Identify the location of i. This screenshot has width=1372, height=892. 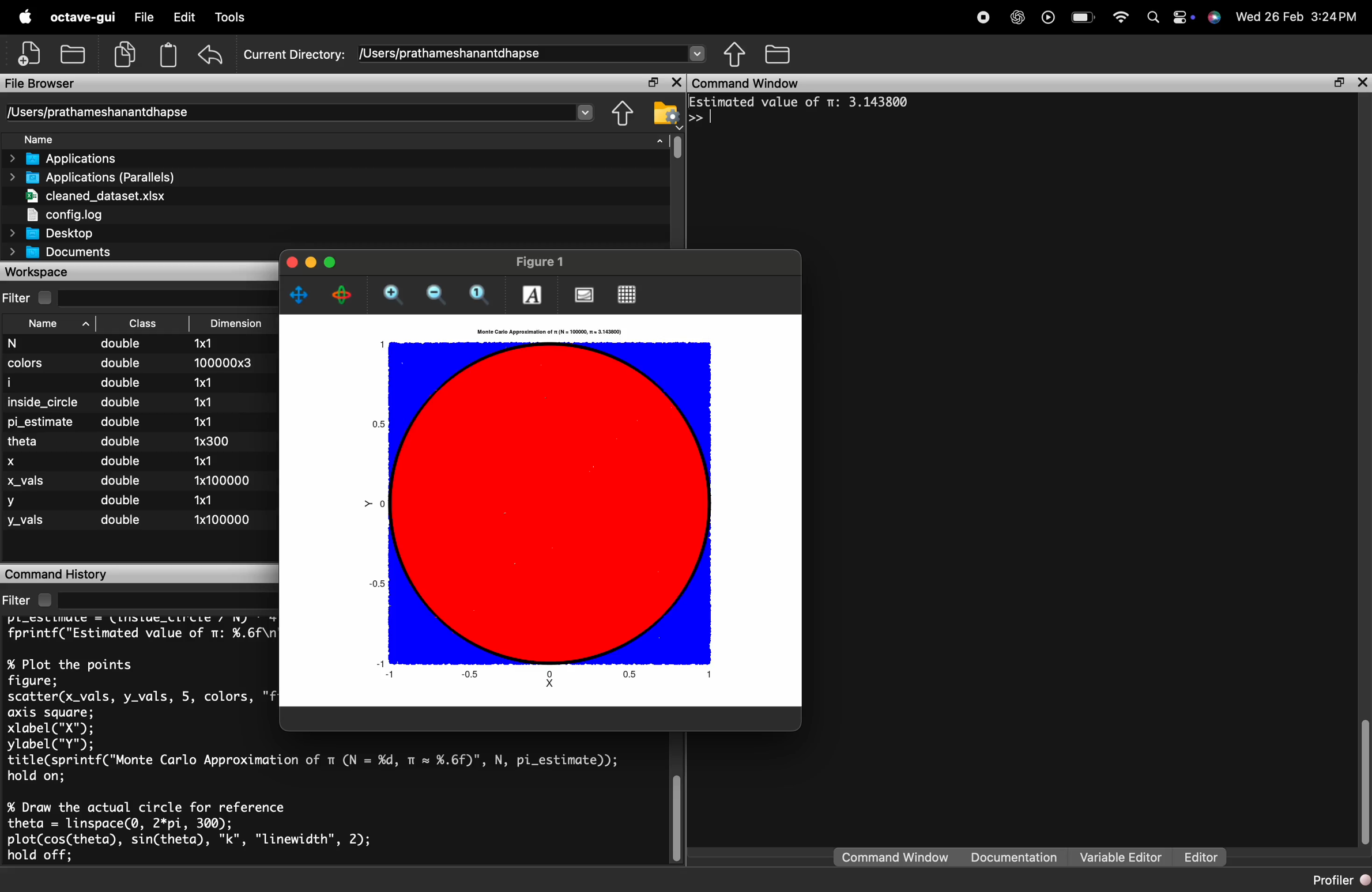
(24, 381).